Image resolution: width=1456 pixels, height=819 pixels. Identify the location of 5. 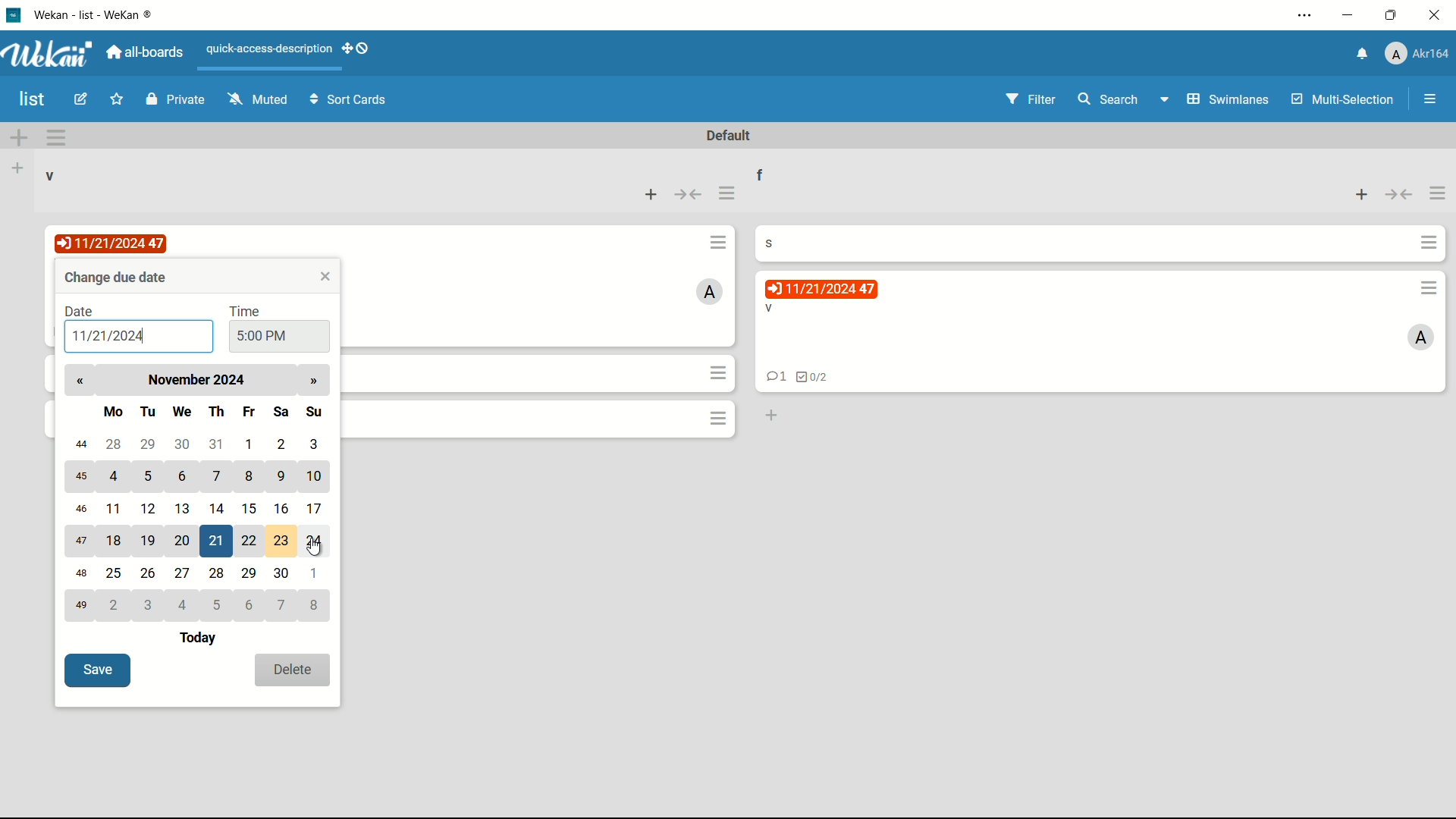
(220, 605).